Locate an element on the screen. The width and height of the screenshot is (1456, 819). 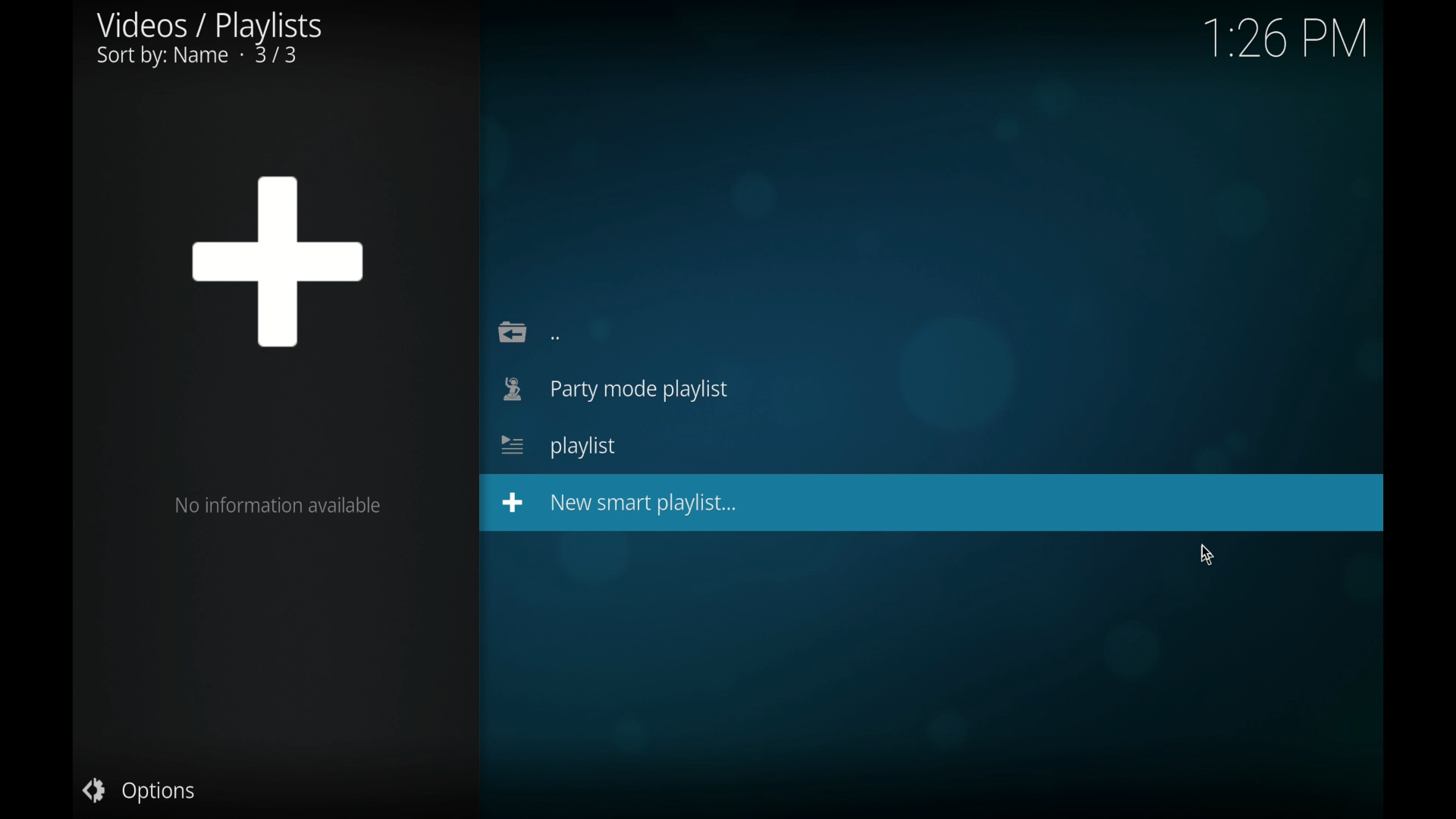
new smart playlist is located at coordinates (622, 504).